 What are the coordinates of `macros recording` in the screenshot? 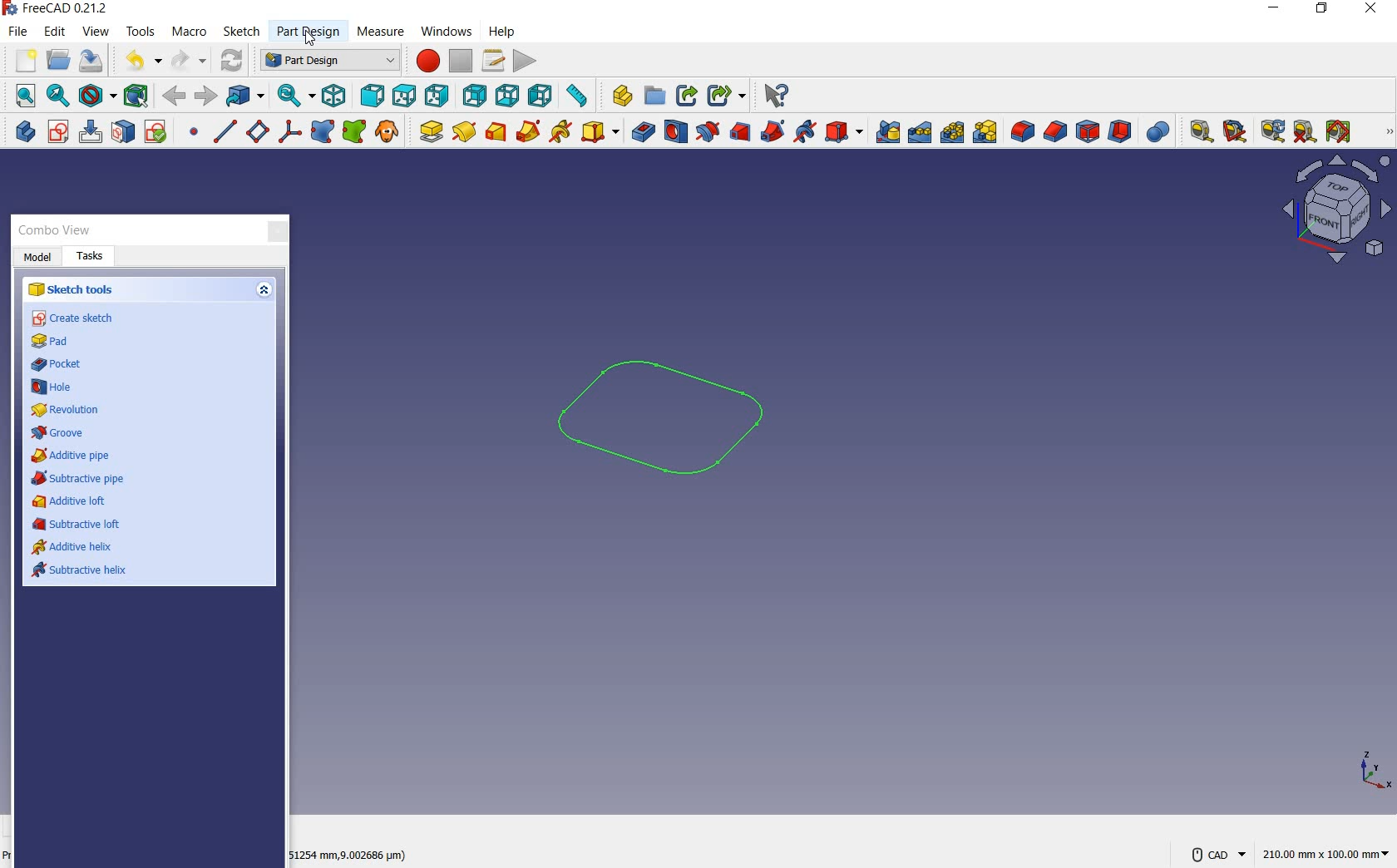 It's located at (424, 62).